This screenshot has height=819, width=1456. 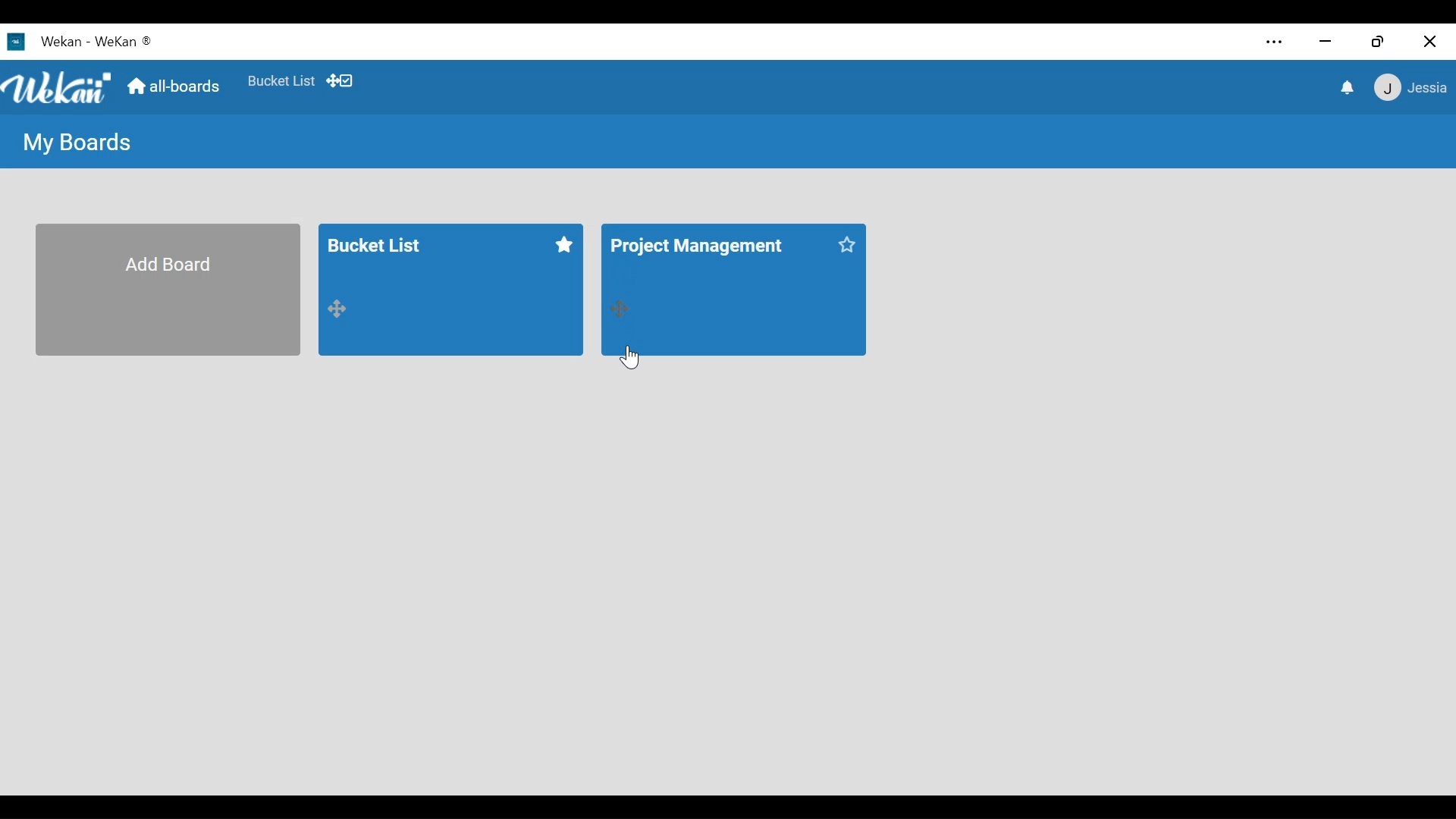 I want to click on My Boards, so click(x=79, y=143).